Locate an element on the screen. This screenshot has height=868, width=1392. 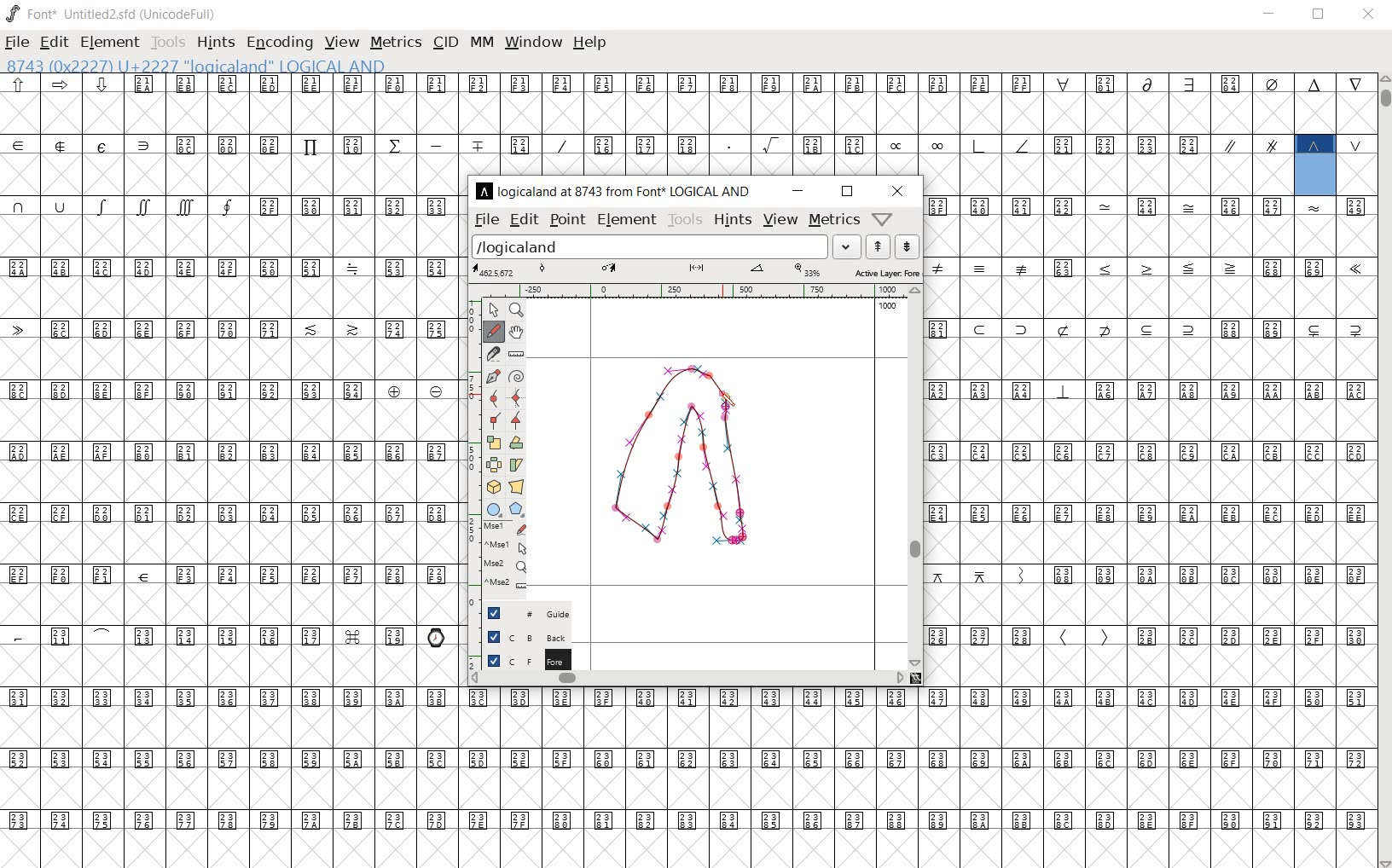
element is located at coordinates (627, 219).